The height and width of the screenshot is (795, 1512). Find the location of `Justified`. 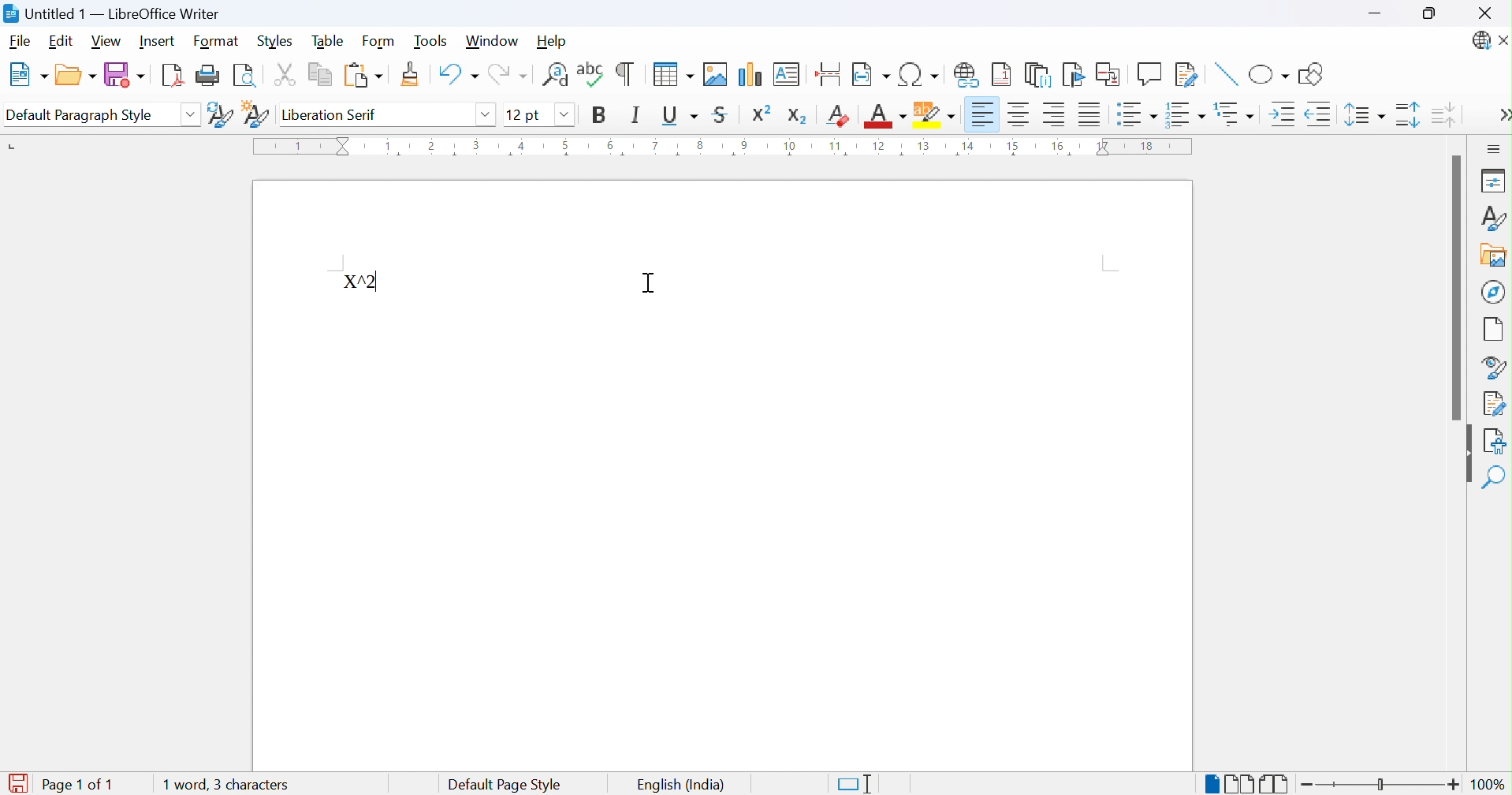

Justified is located at coordinates (1093, 114).